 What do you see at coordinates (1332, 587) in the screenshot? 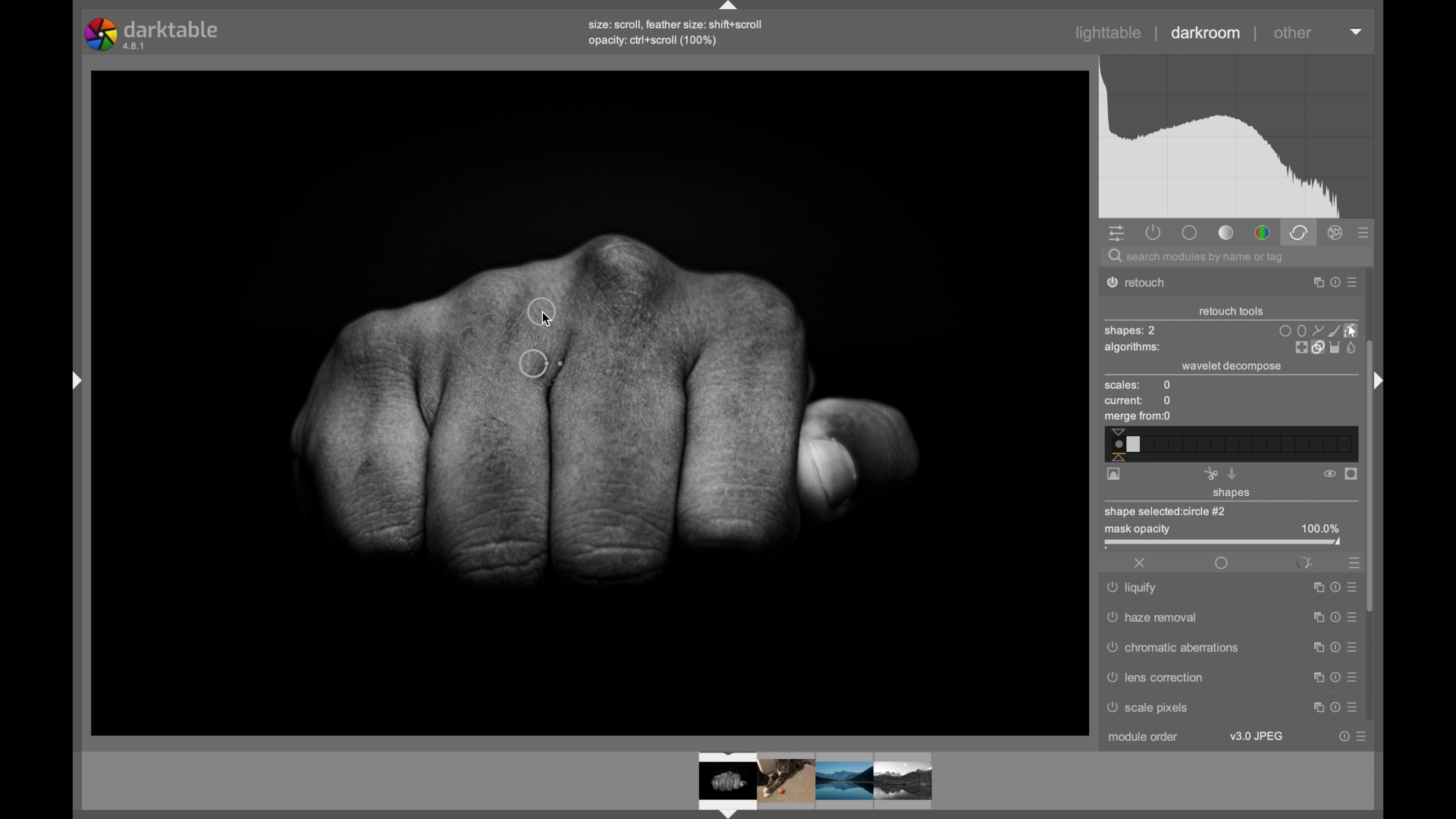
I see `help` at bounding box center [1332, 587].